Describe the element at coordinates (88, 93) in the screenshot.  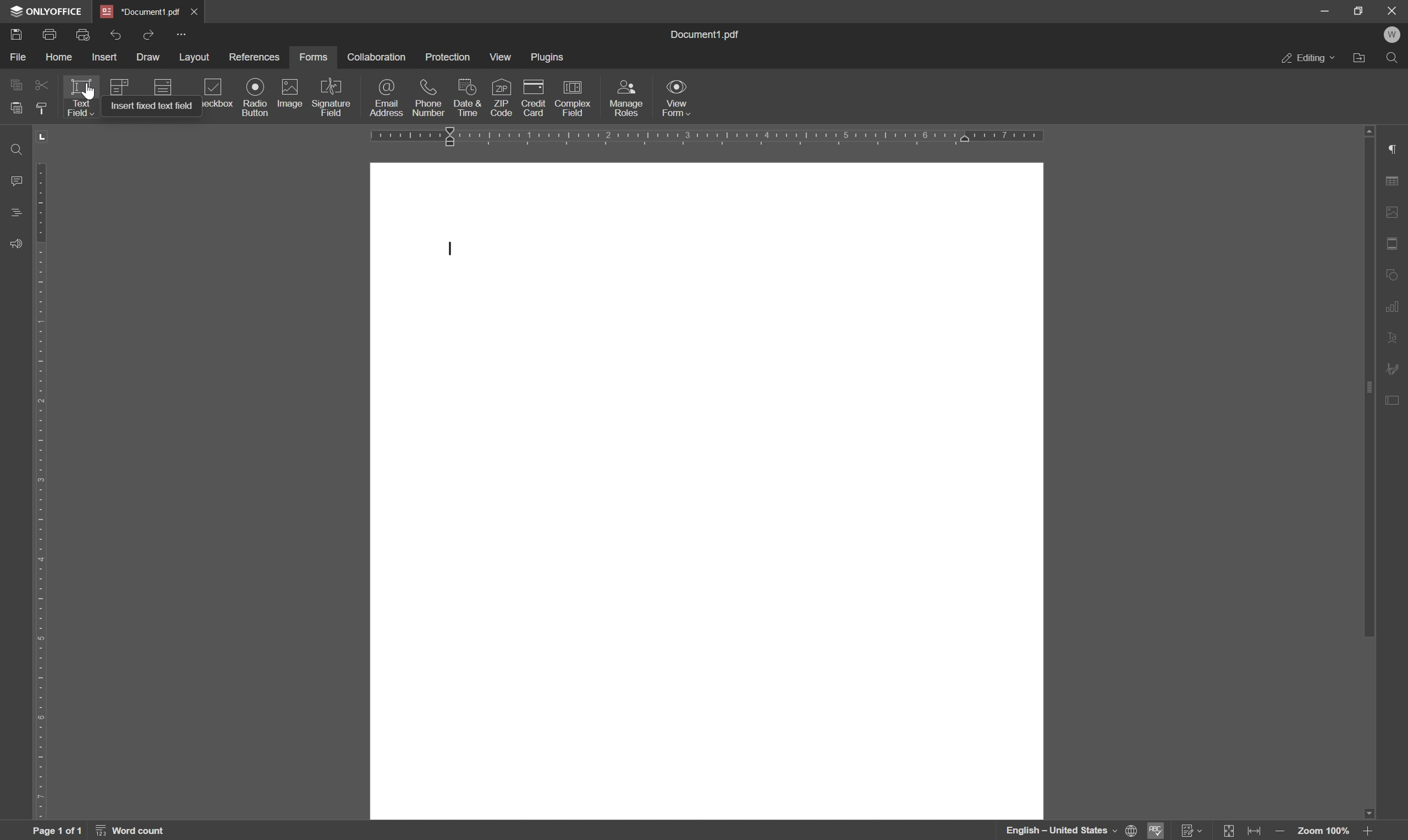
I see `cursor` at that location.